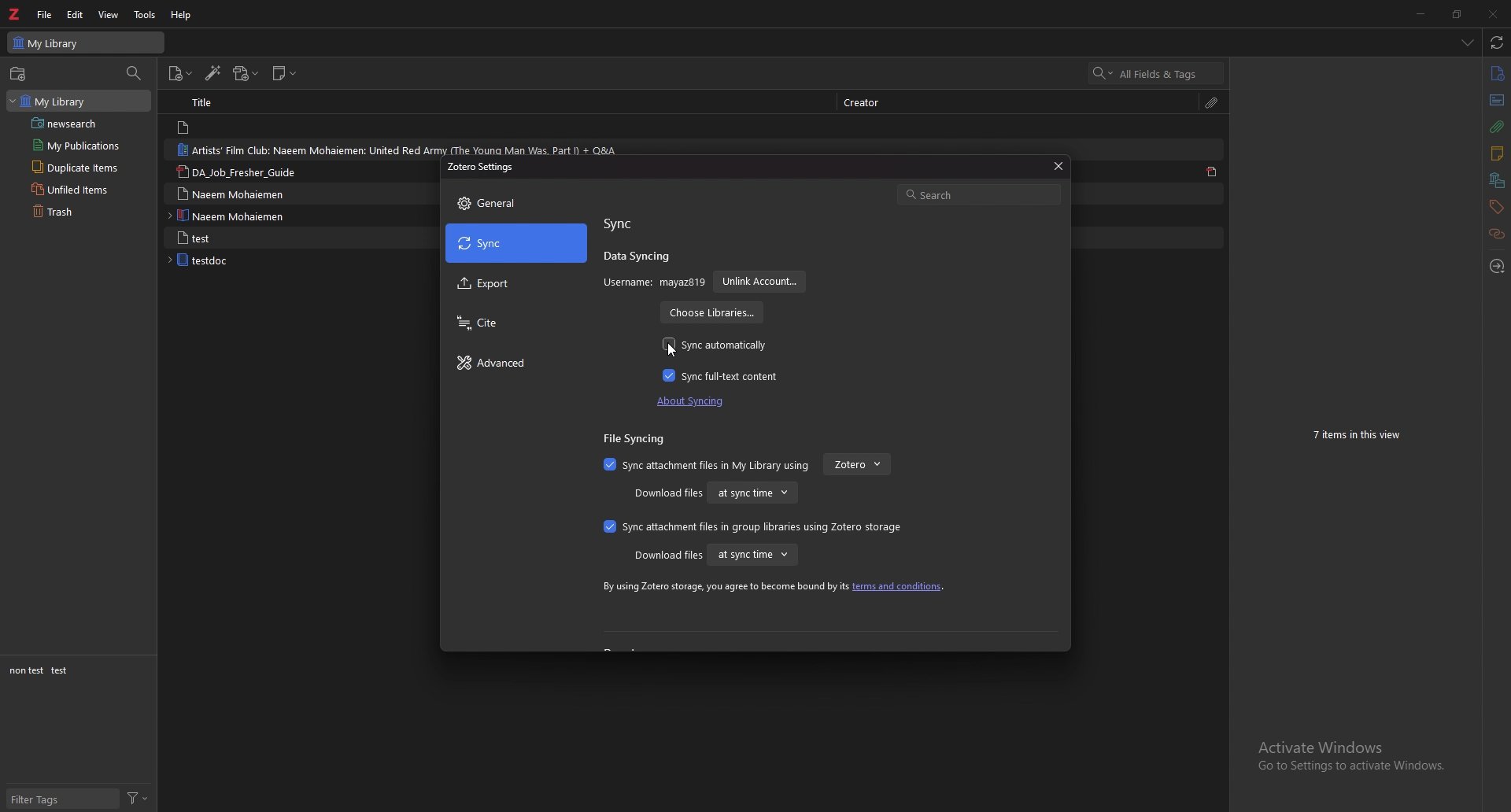 The height and width of the screenshot is (812, 1511). Describe the element at coordinates (1214, 173) in the screenshot. I see `pdf` at that location.